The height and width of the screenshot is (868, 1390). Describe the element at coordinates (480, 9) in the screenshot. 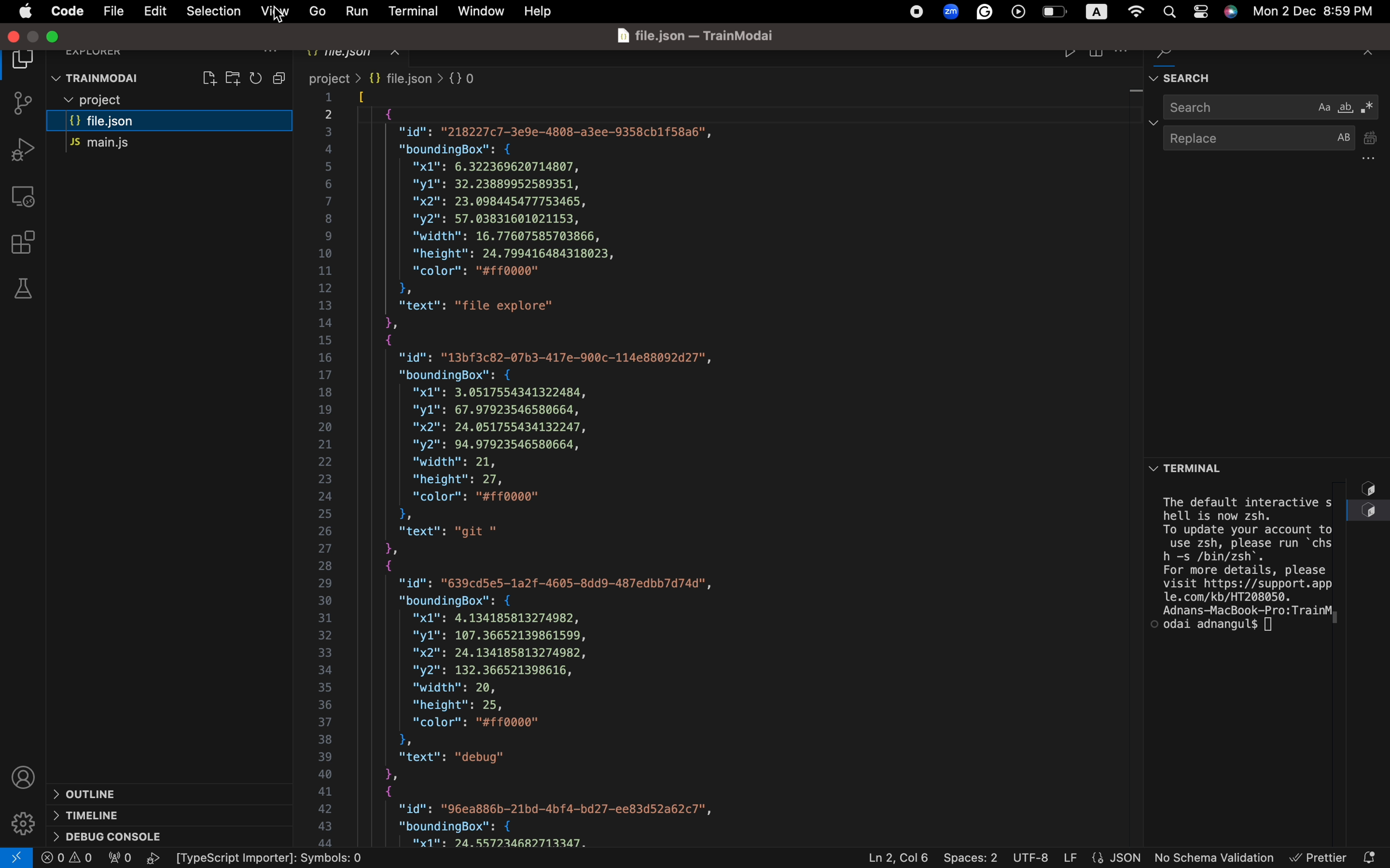

I see `window` at that location.